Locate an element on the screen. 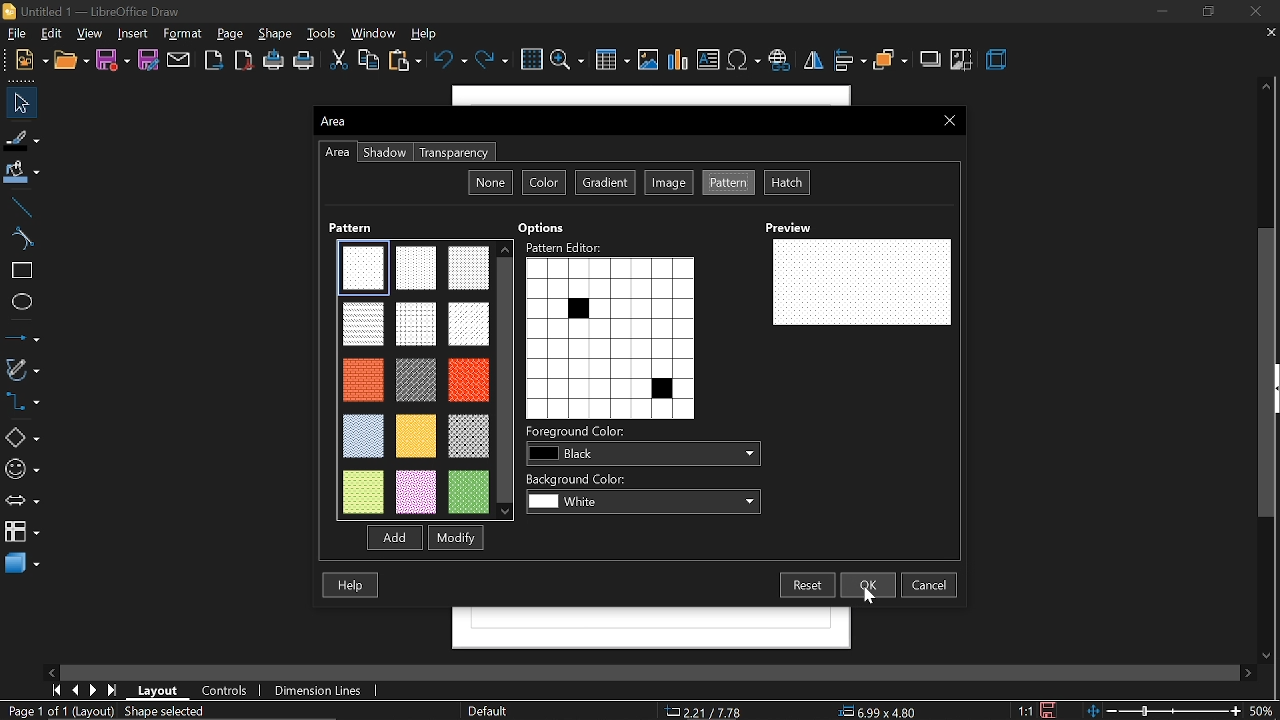 This screenshot has height=720, width=1280. curve is located at coordinates (19, 237).